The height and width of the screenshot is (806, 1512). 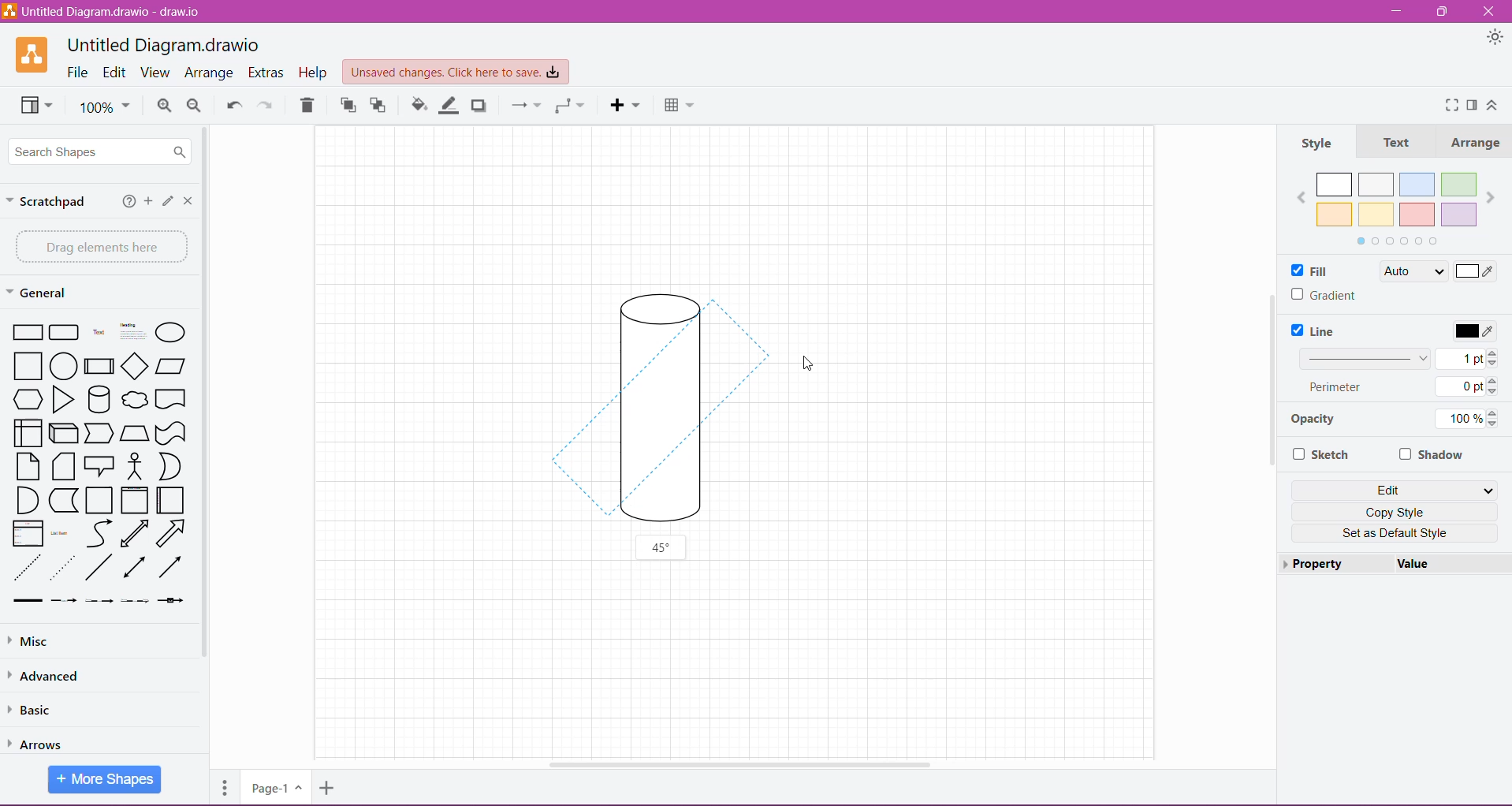 I want to click on Minimize, so click(x=1398, y=11).